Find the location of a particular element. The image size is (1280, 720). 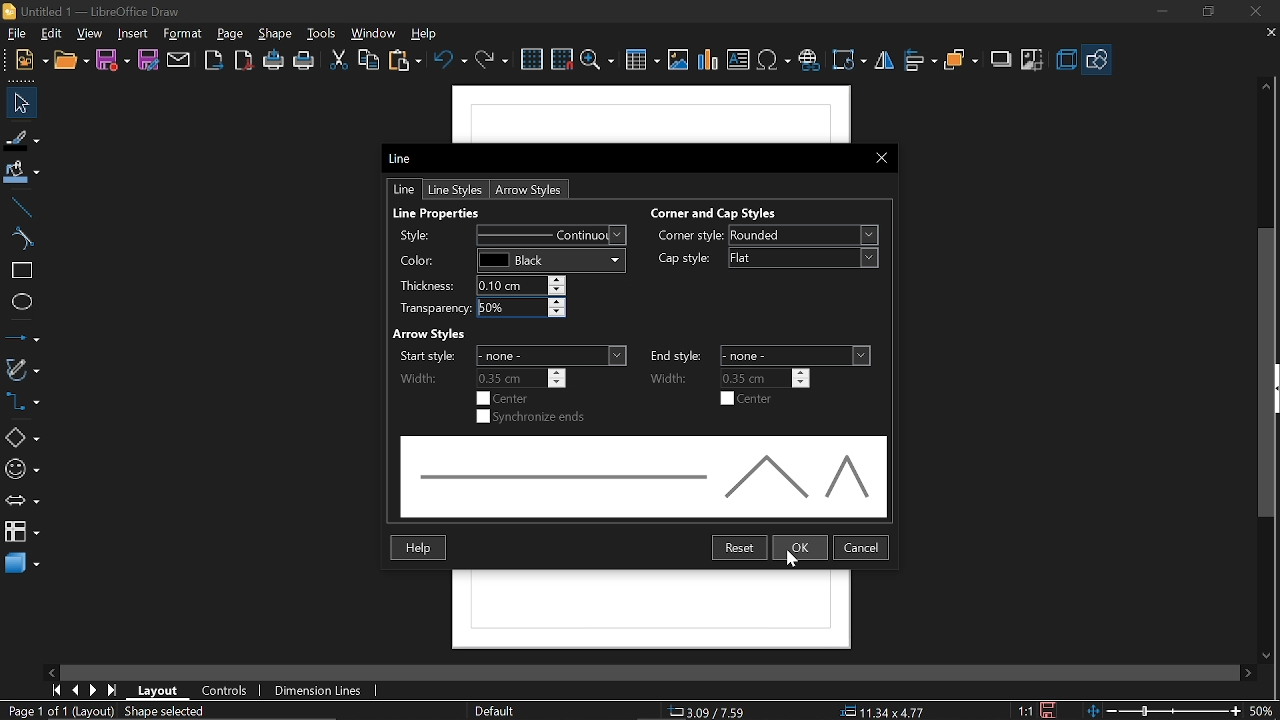

open is located at coordinates (72, 58).